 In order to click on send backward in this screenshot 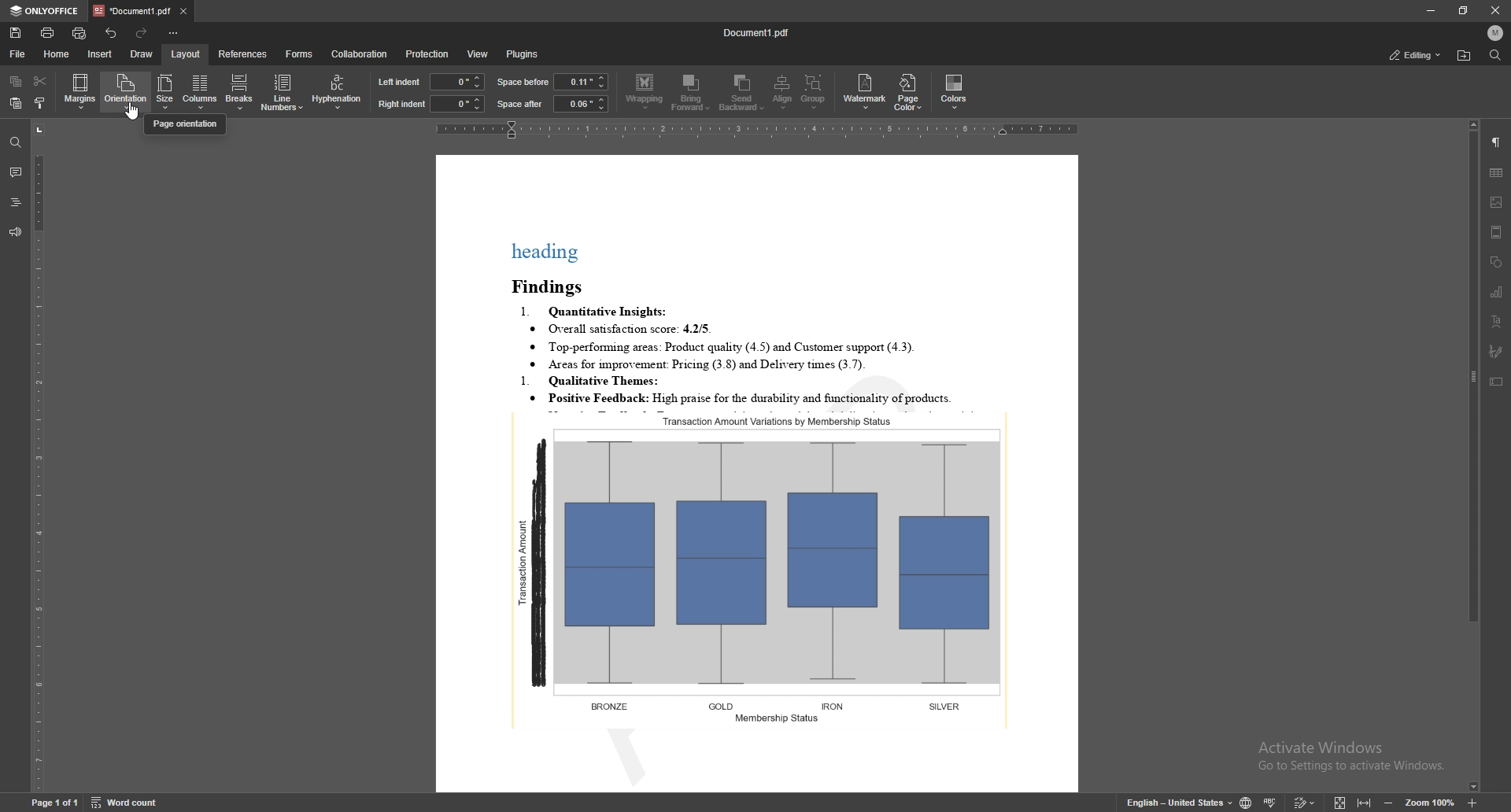, I will do `click(742, 91)`.